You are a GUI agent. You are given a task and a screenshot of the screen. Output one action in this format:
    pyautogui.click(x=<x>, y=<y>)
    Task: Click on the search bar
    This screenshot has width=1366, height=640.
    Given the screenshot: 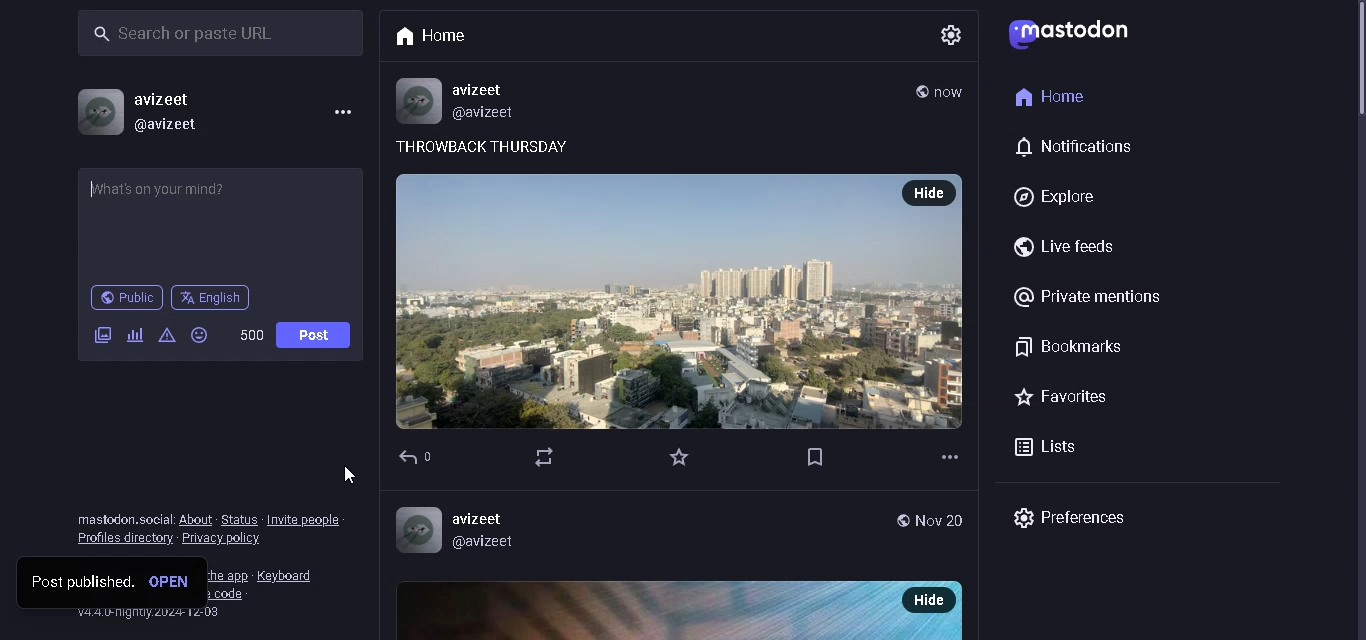 What is the action you would take?
    pyautogui.click(x=212, y=35)
    